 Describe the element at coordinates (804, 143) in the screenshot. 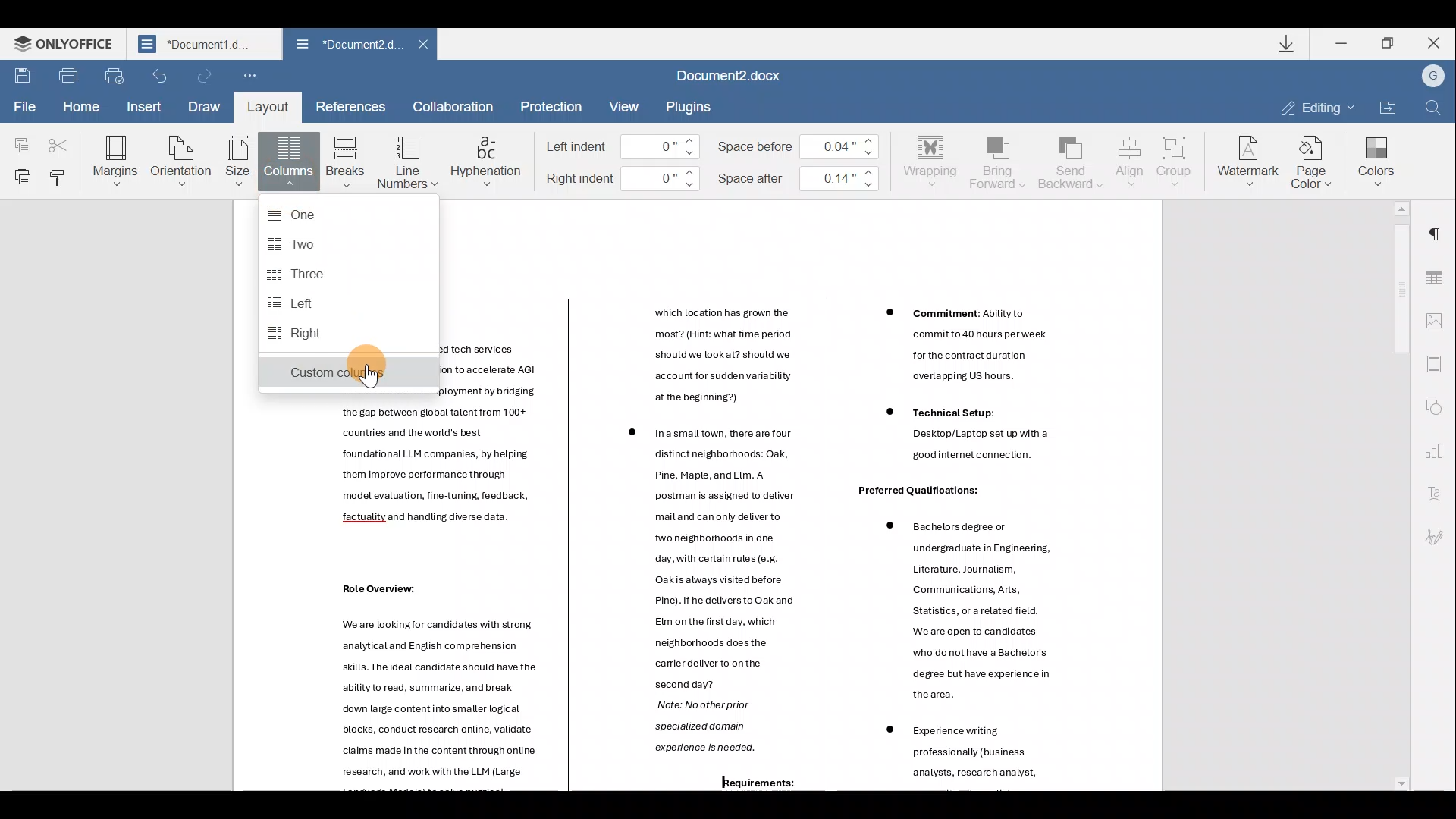

I see `Space before` at that location.